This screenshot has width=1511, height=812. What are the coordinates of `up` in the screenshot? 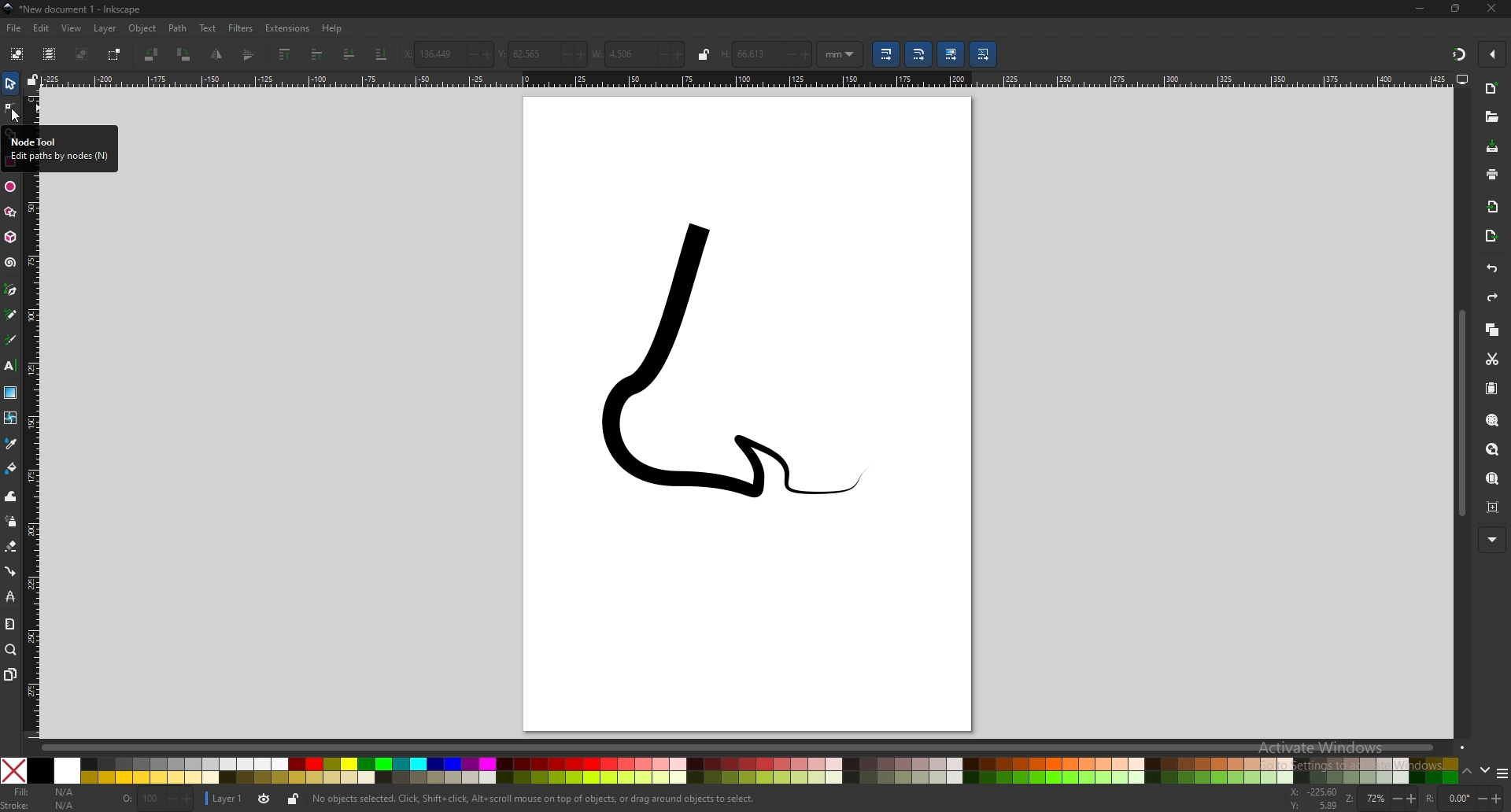 It's located at (1468, 772).